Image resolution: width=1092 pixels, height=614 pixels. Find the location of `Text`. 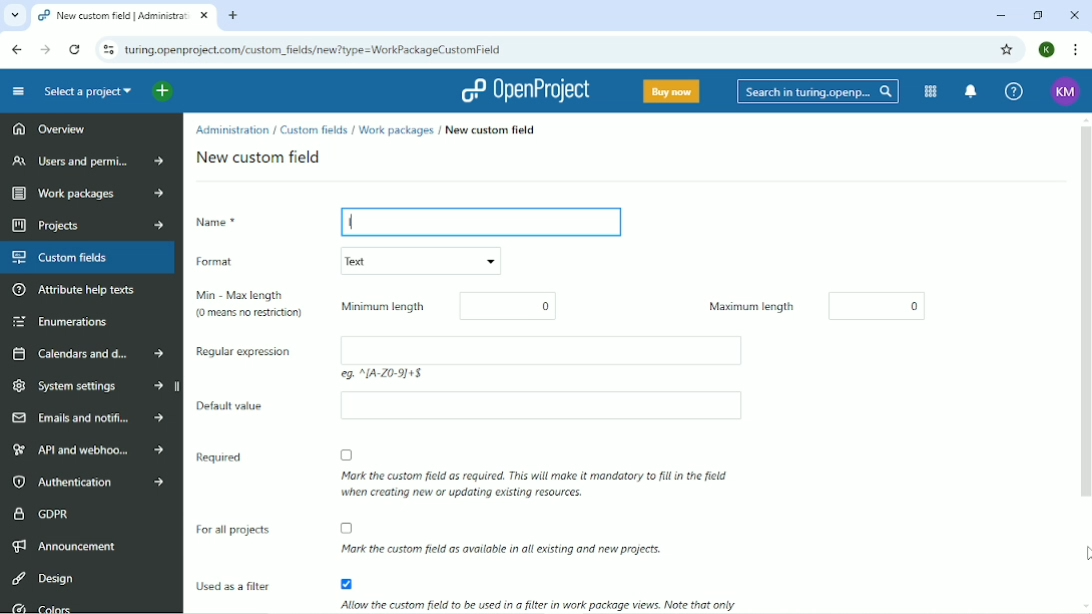

Text is located at coordinates (364, 263).